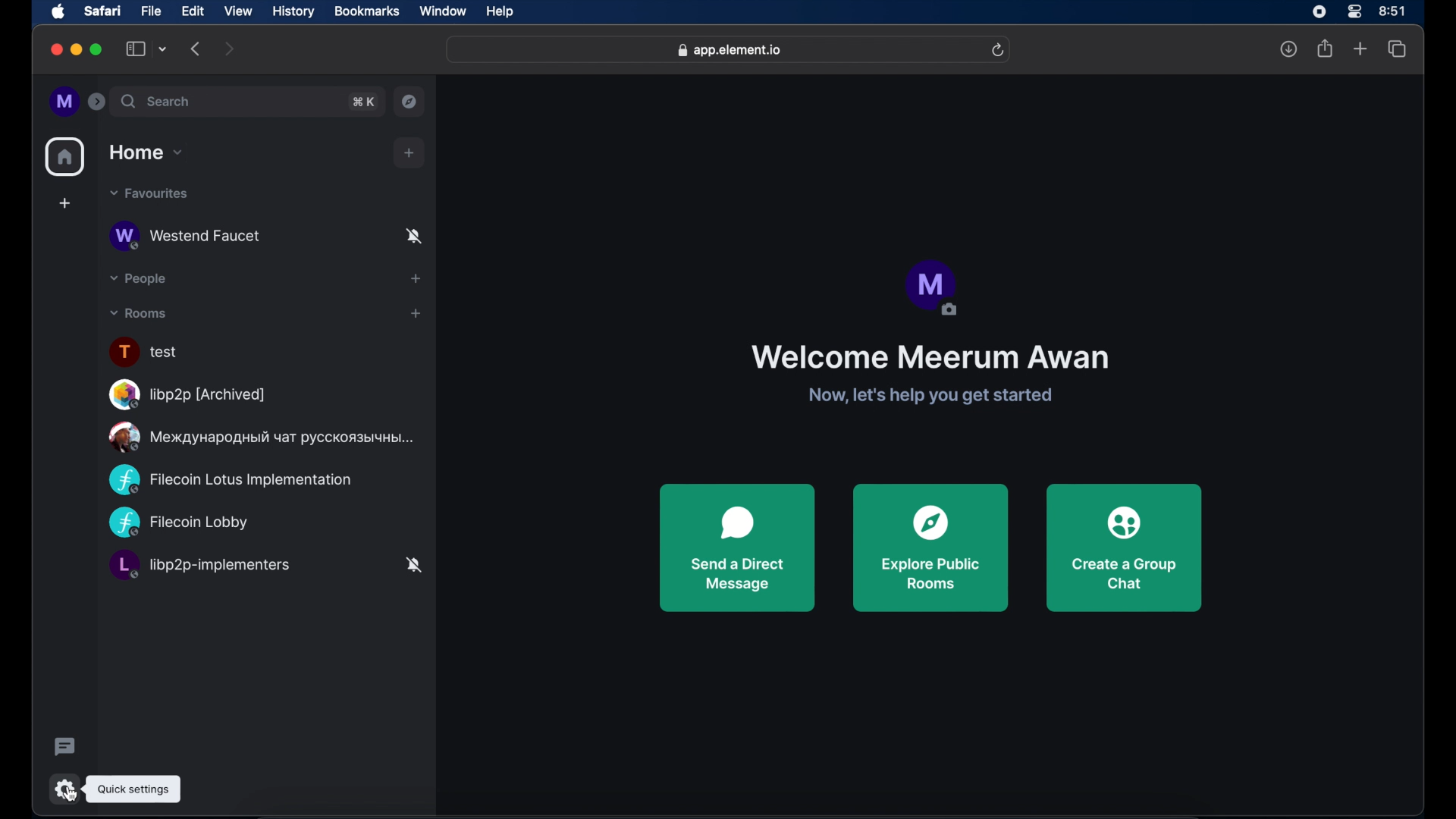 This screenshot has width=1456, height=819. What do you see at coordinates (1124, 549) in the screenshot?
I see `create a group chat` at bounding box center [1124, 549].